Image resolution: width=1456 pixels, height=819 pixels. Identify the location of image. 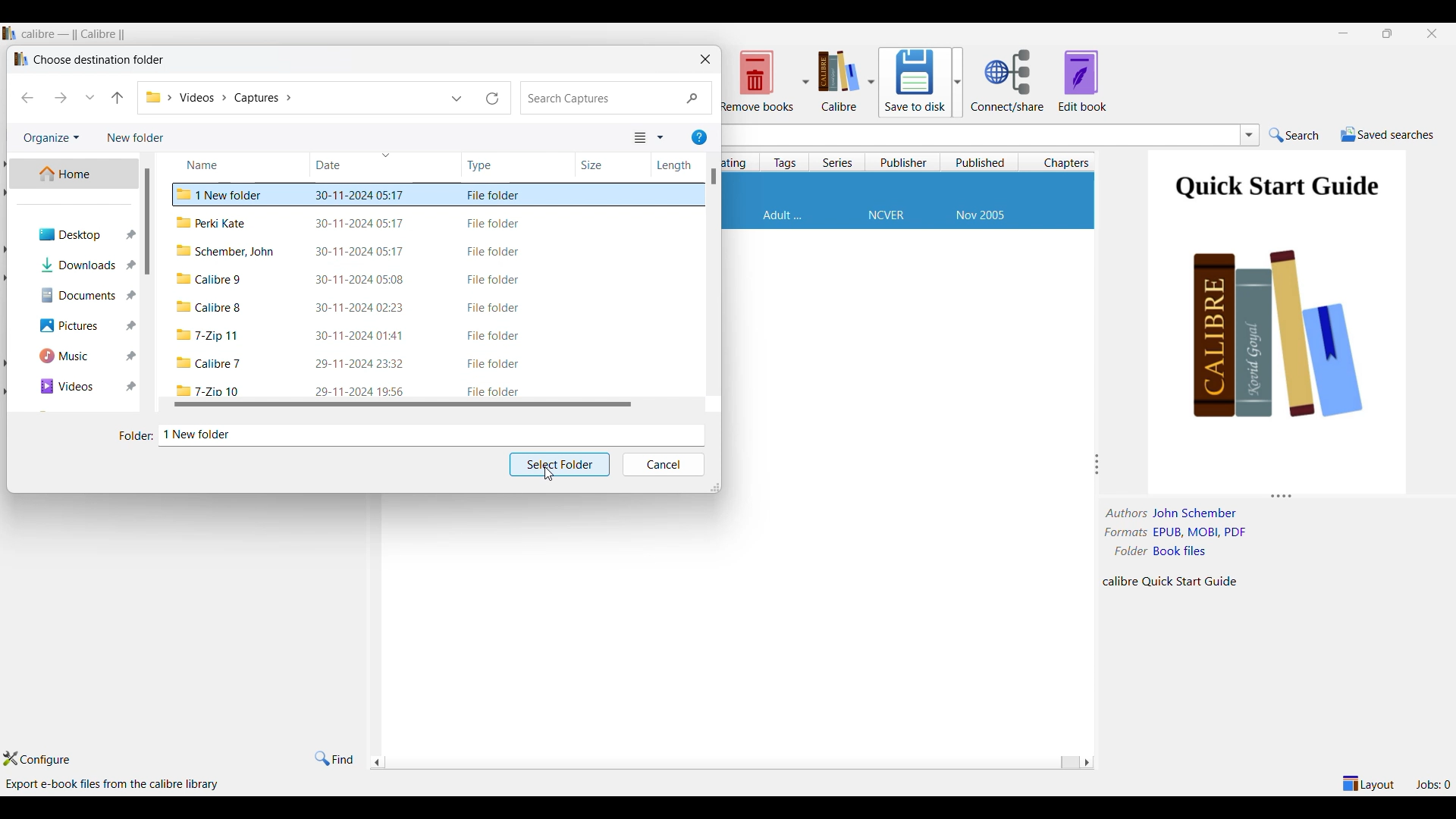
(1281, 354).